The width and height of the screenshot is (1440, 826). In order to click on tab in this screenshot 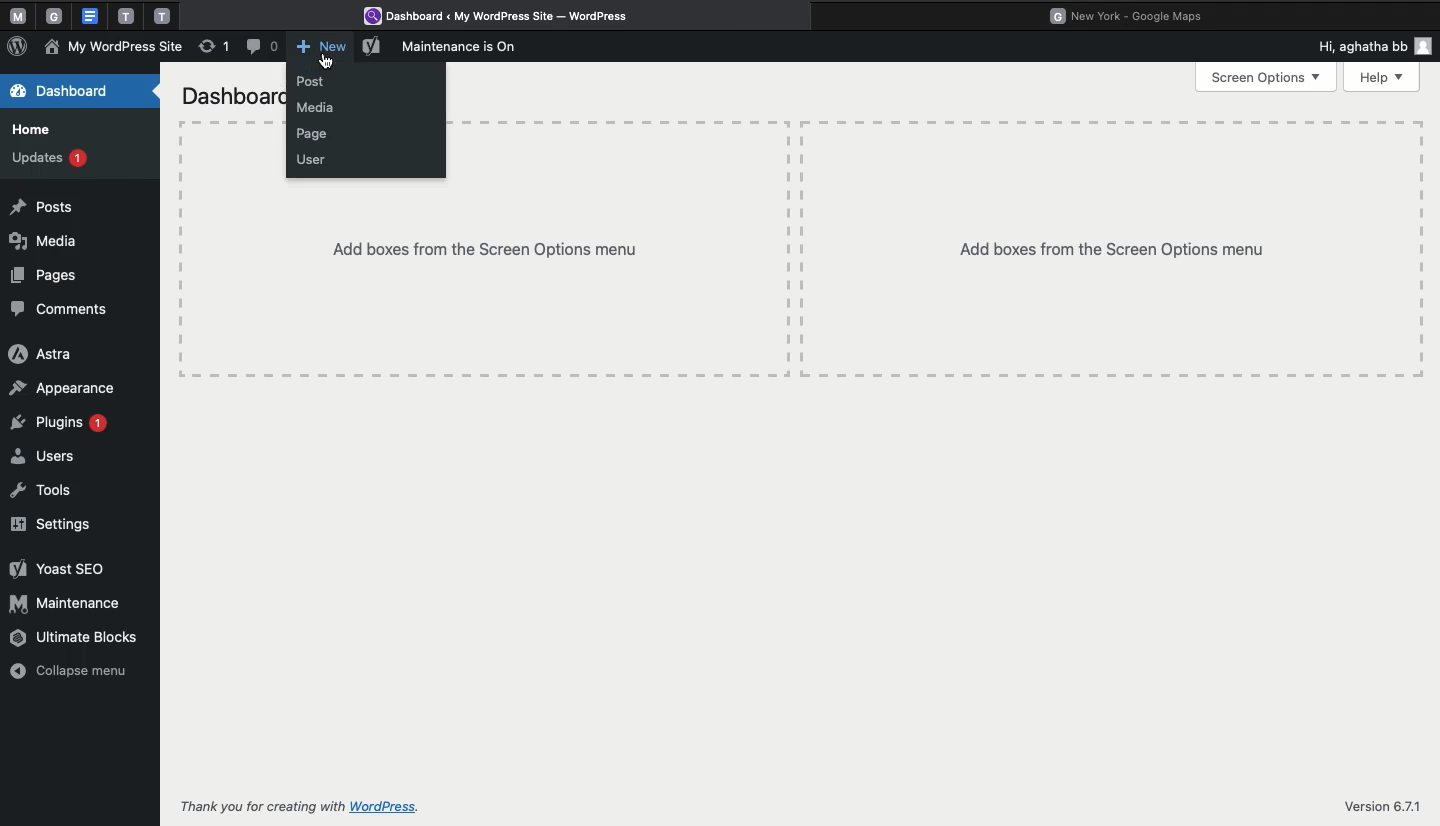, I will do `click(57, 16)`.